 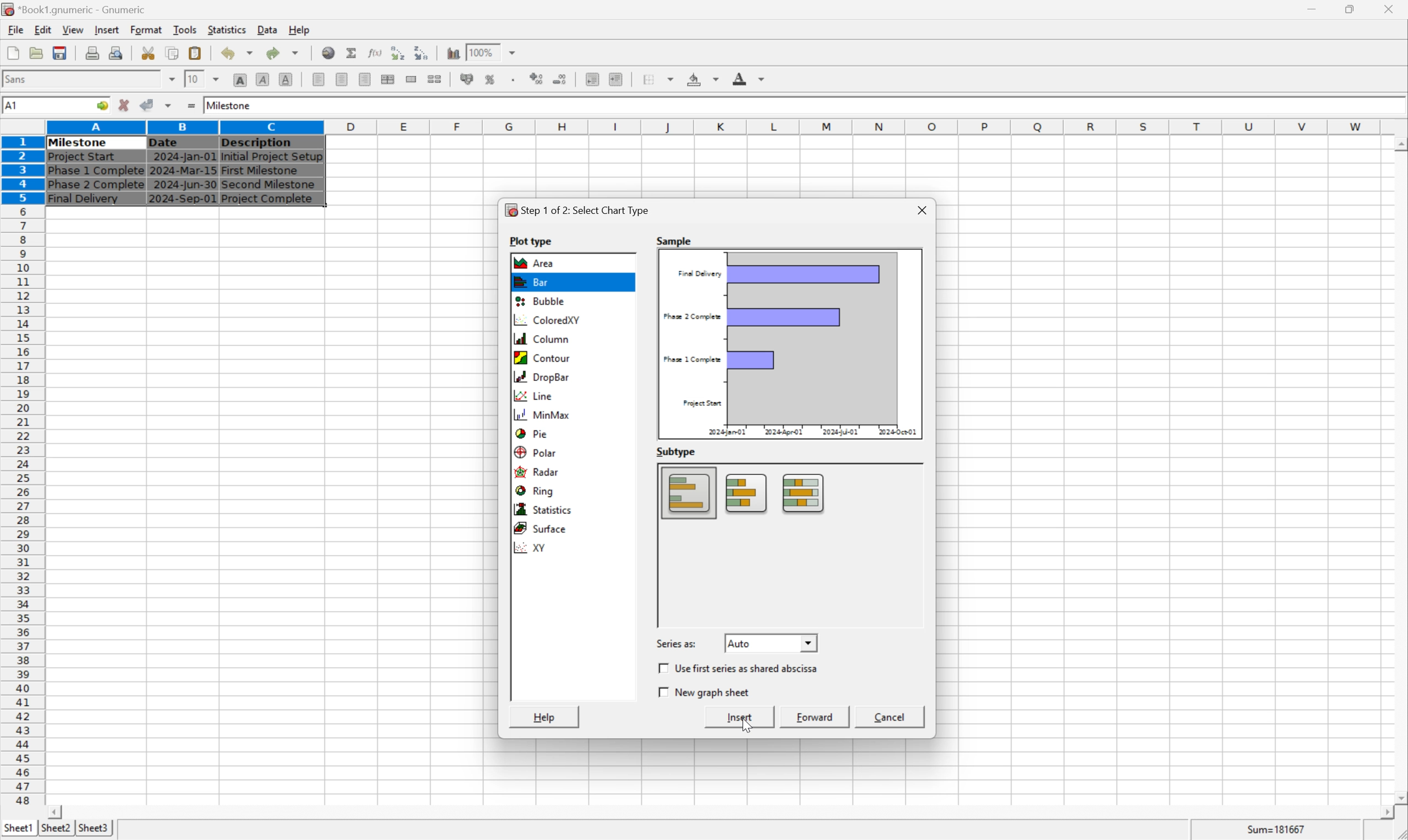 I want to click on accept changes in multiple cells, so click(x=170, y=108).